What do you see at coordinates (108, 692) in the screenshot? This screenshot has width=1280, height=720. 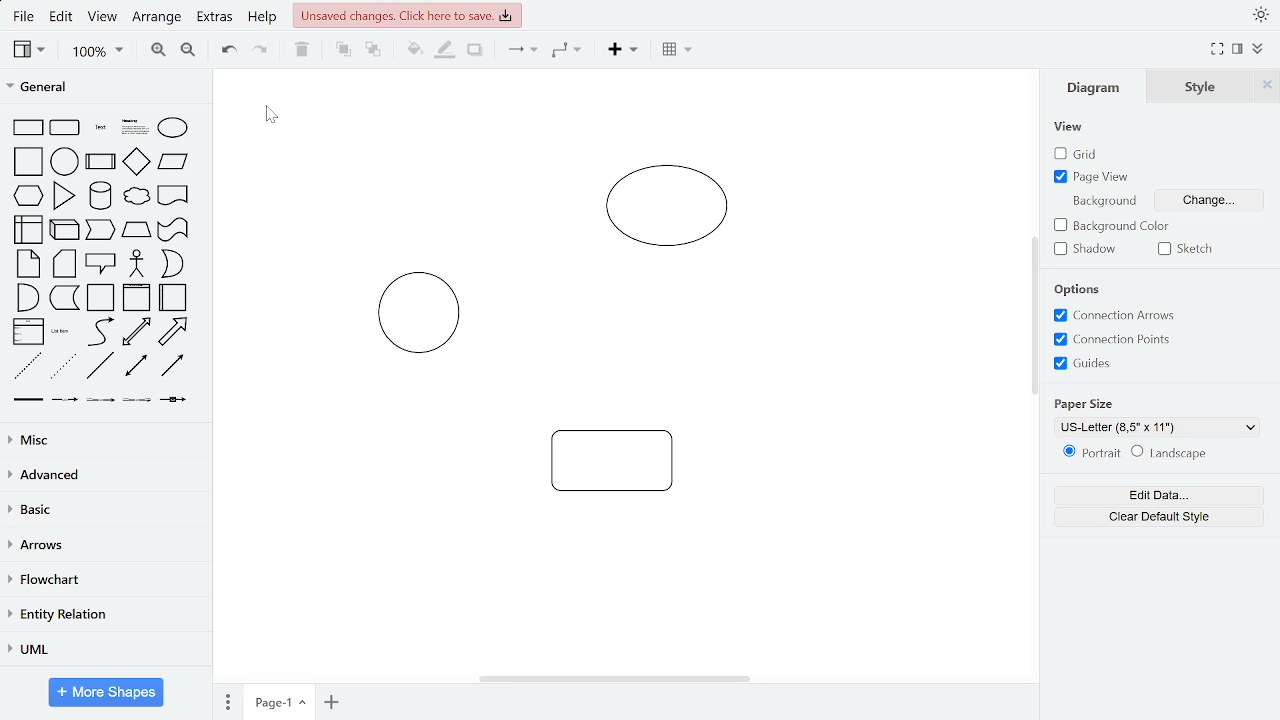 I see `more shapes` at bounding box center [108, 692].